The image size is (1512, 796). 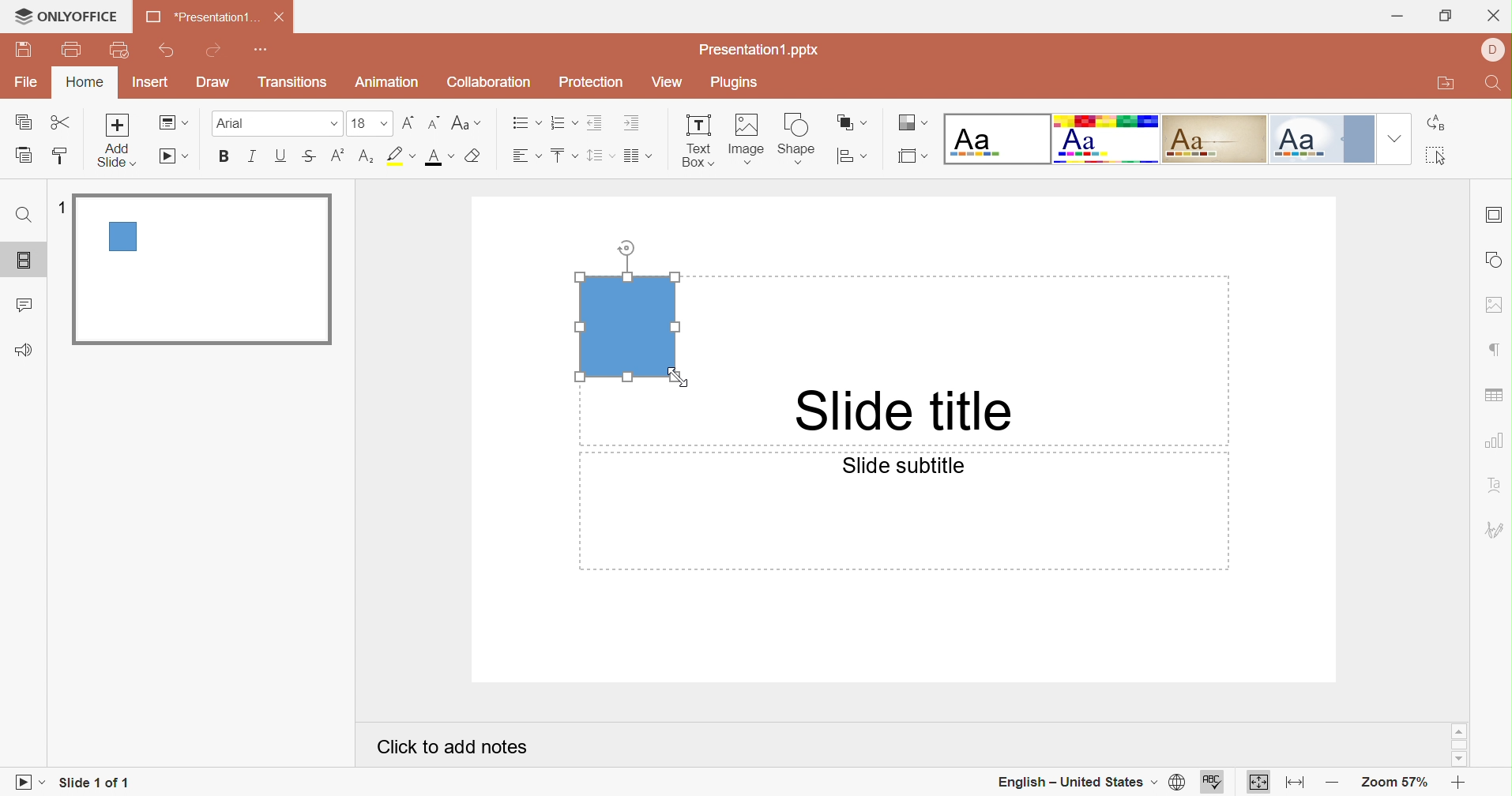 I want to click on Slide subtitle, so click(x=901, y=465).